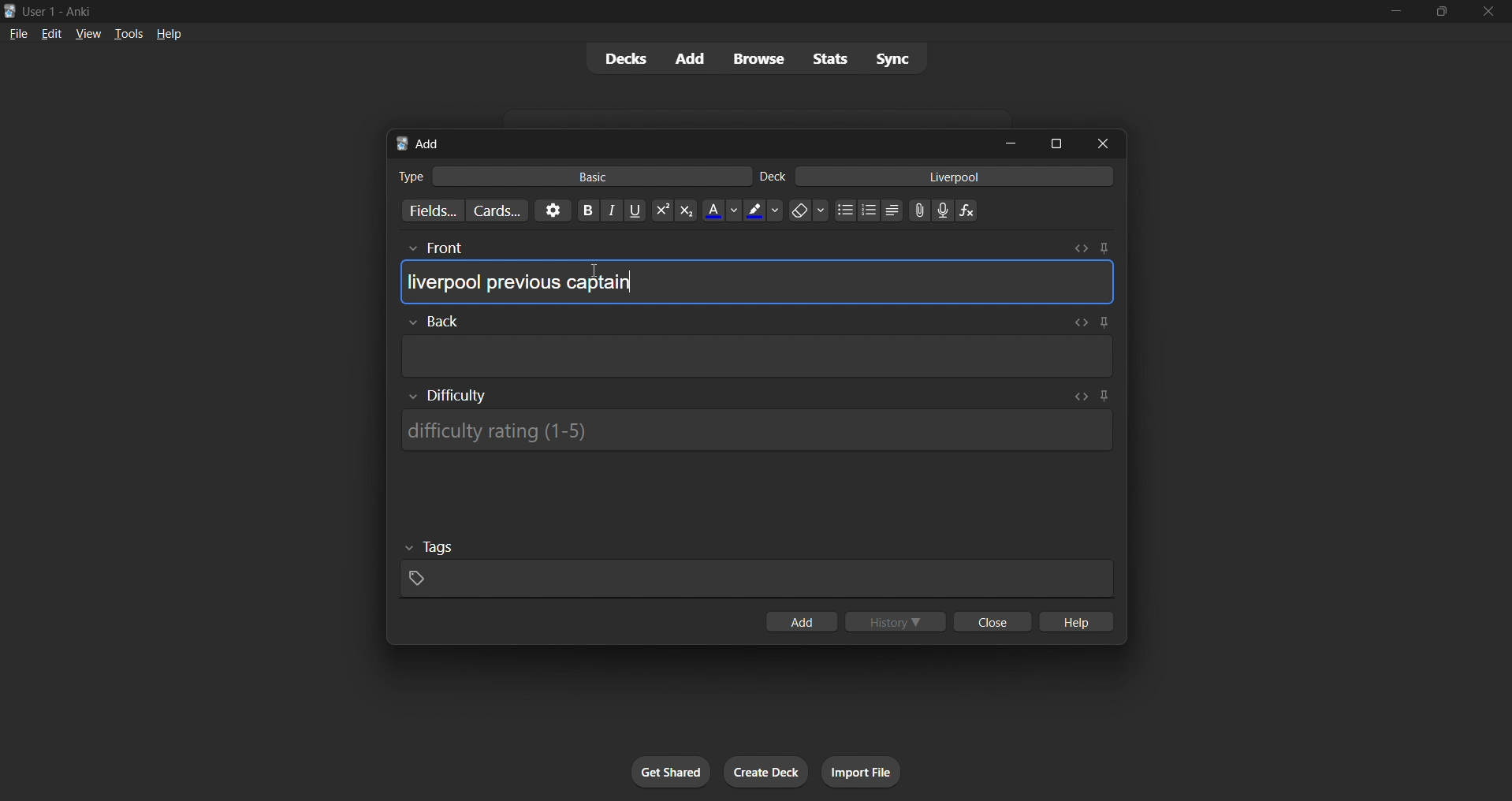 The height and width of the screenshot is (801, 1512). What do you see at coordinates (757, 277) in the screenshot?
I see `card front input box` at bounding box center [757, 277].